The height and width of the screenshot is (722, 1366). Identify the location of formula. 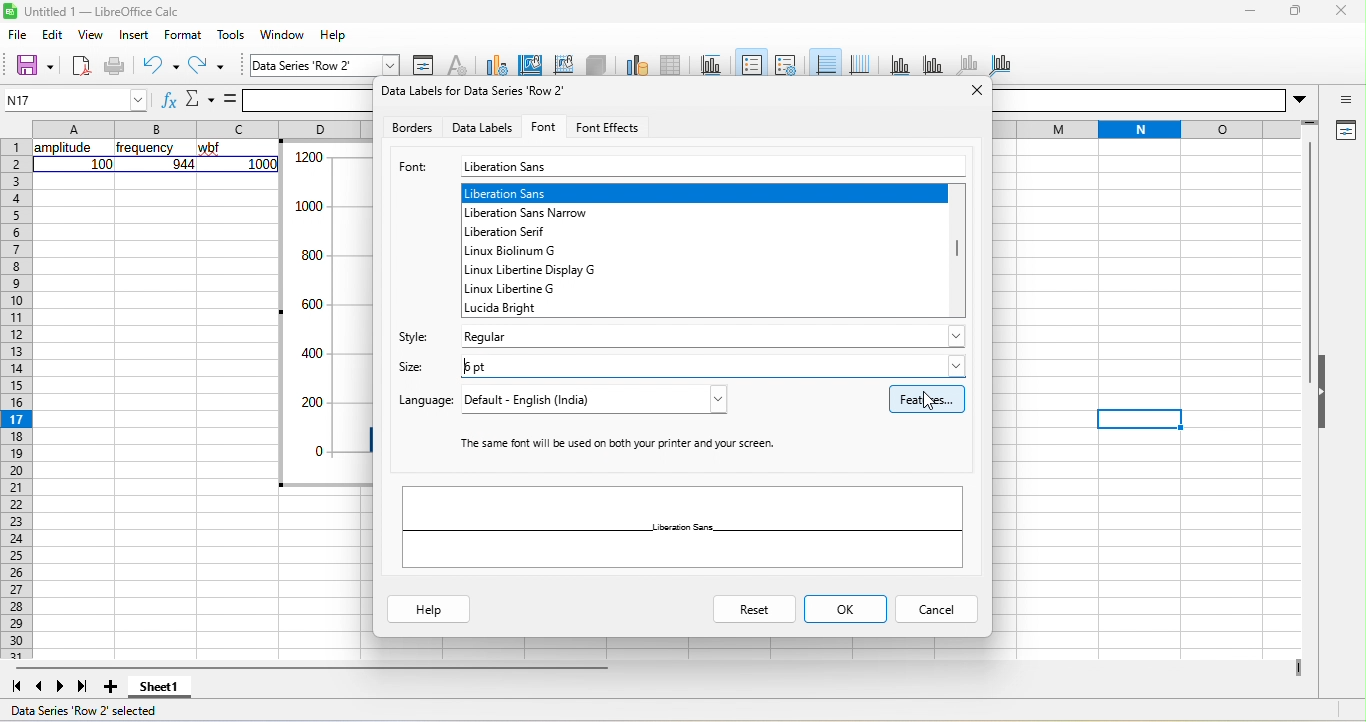
(227, 101).